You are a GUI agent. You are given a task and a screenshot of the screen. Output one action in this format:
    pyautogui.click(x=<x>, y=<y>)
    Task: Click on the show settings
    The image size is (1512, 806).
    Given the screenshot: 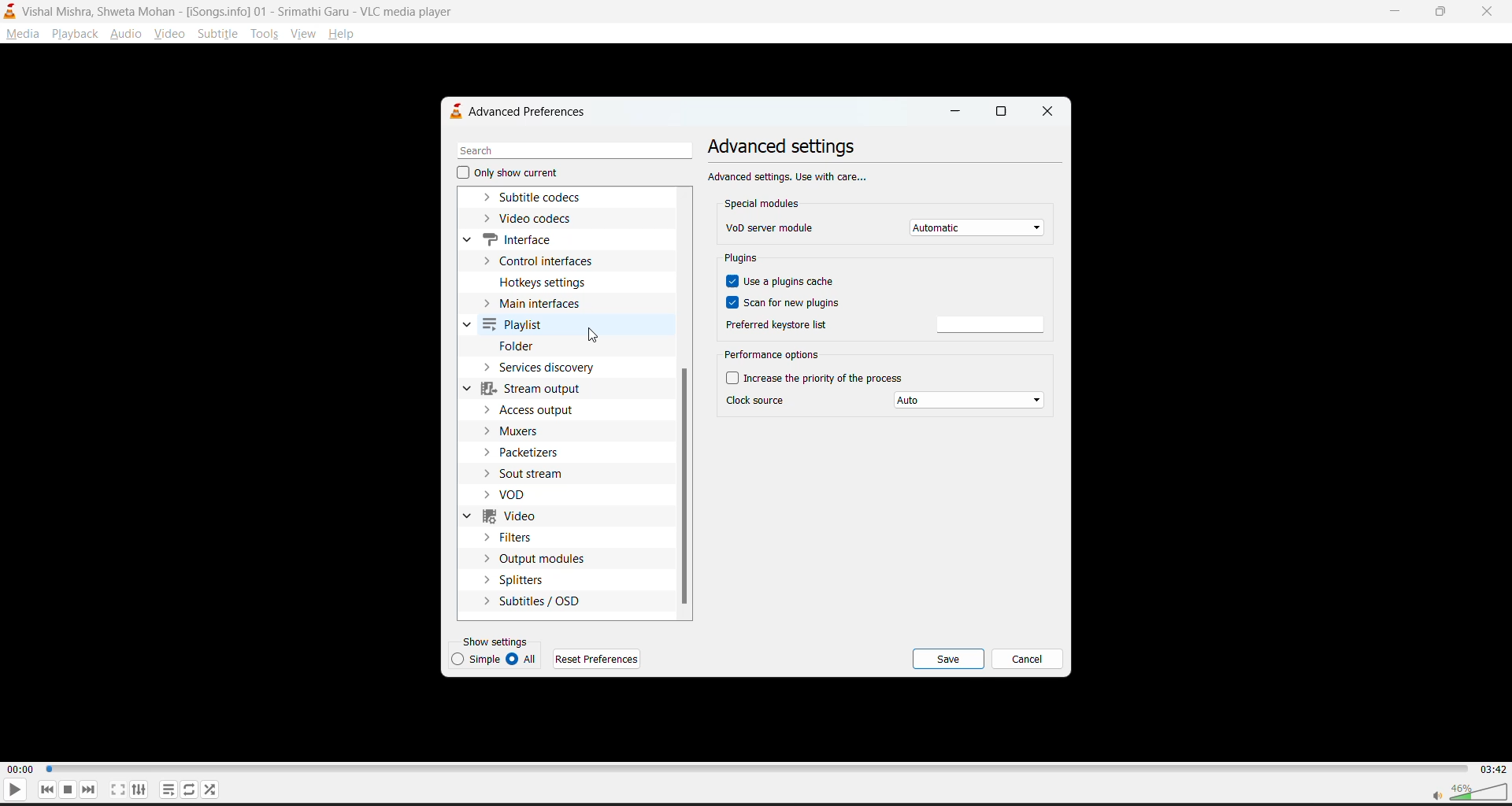 What is the action you would take?
    pyautogui.click(x=495, y=642)
    